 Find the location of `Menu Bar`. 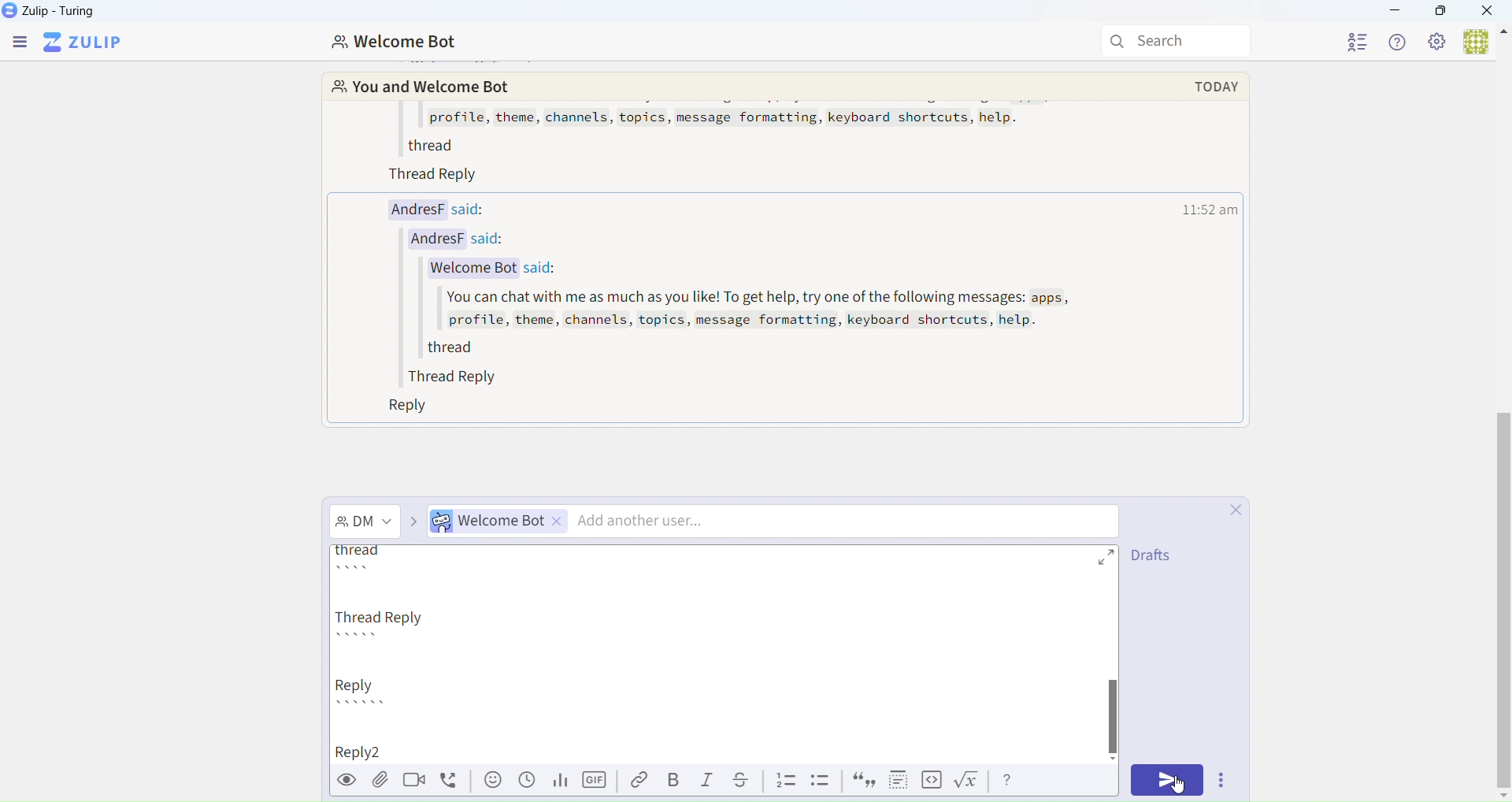

Menu Bar is located at coordinates (20, 45).